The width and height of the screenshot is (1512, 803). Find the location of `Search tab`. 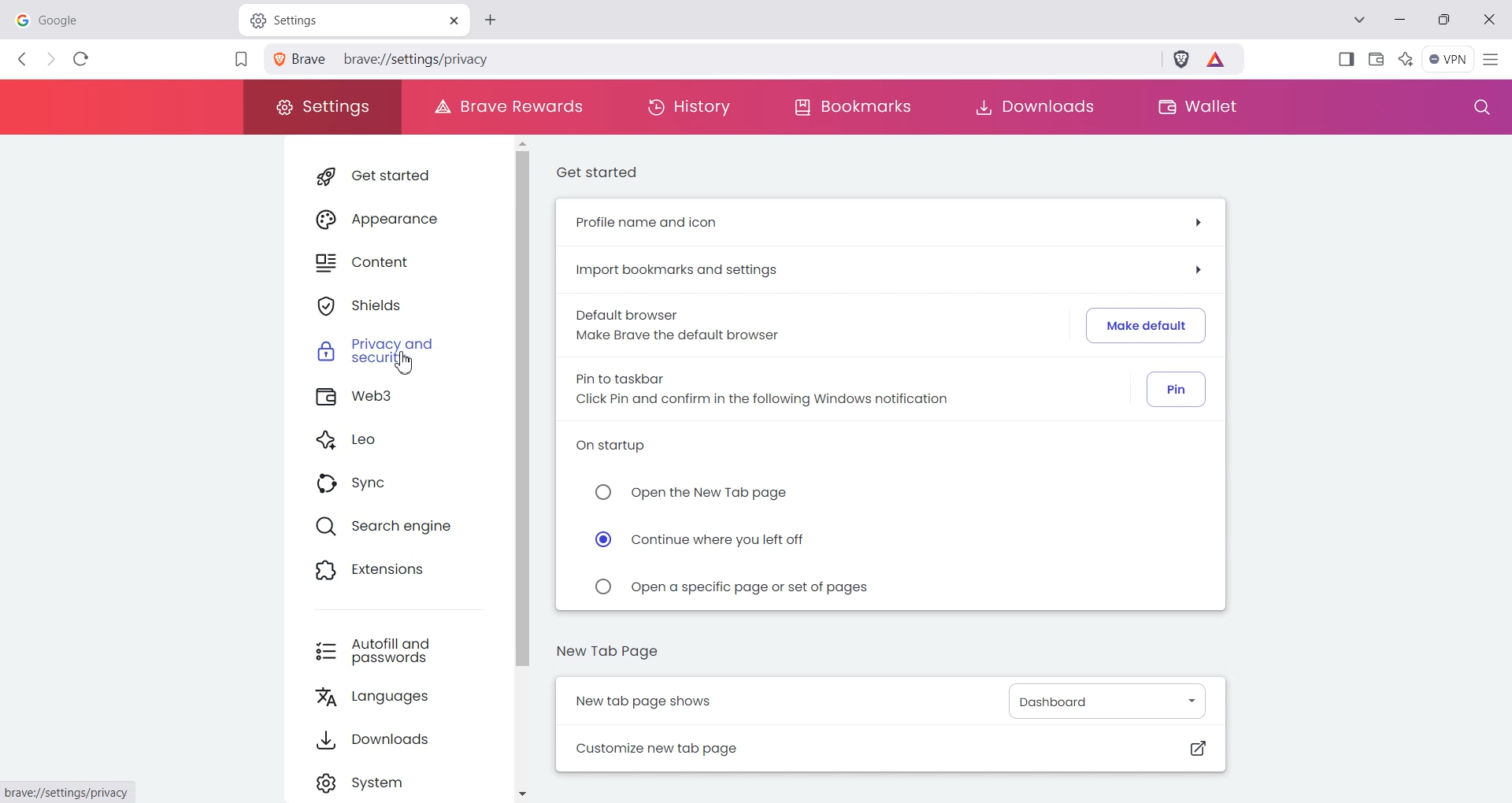

Search tab is located at coordinates (1362, 21).